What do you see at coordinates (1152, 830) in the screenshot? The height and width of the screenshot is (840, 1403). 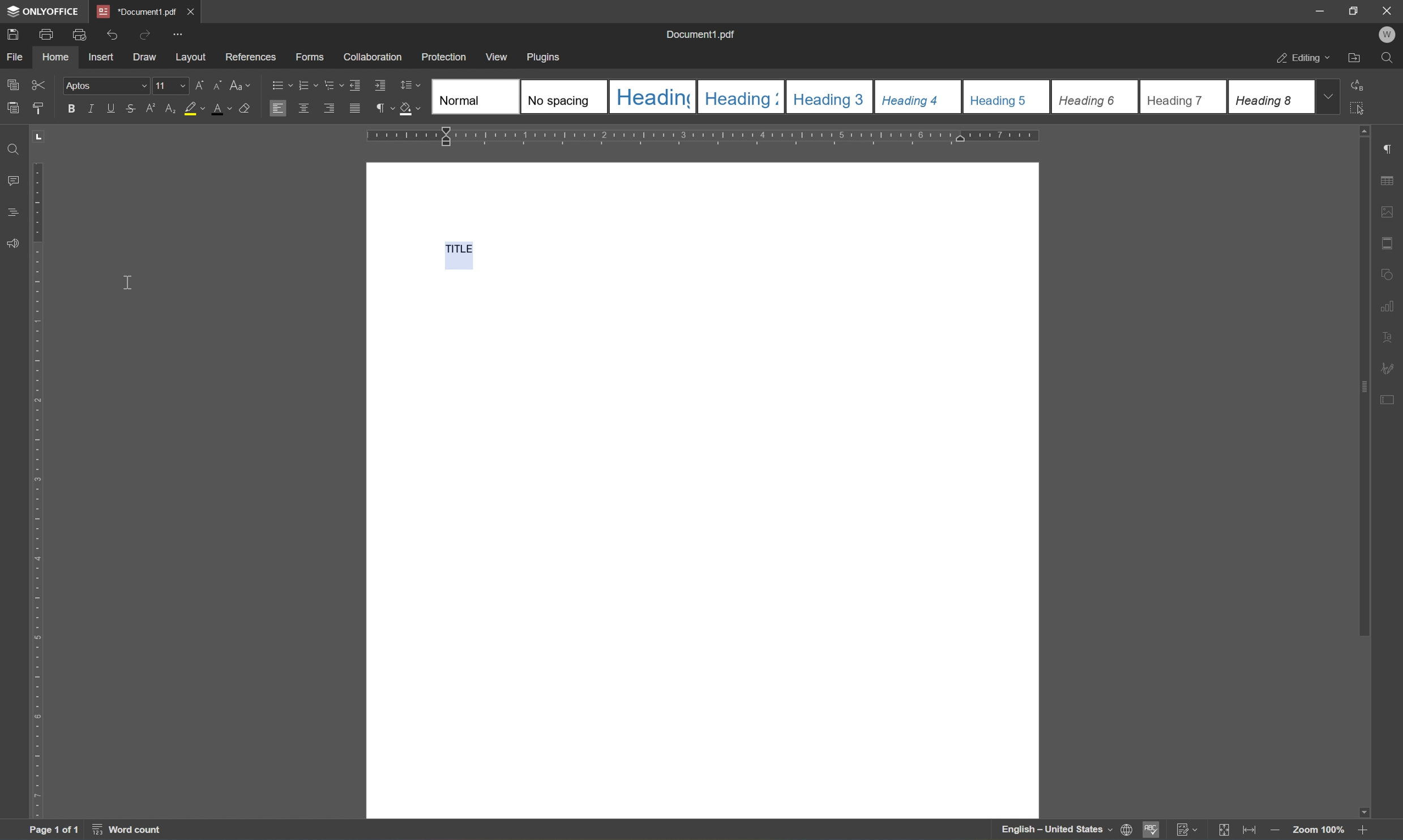 I see `spell checking` at bounding box center [1152, 830].